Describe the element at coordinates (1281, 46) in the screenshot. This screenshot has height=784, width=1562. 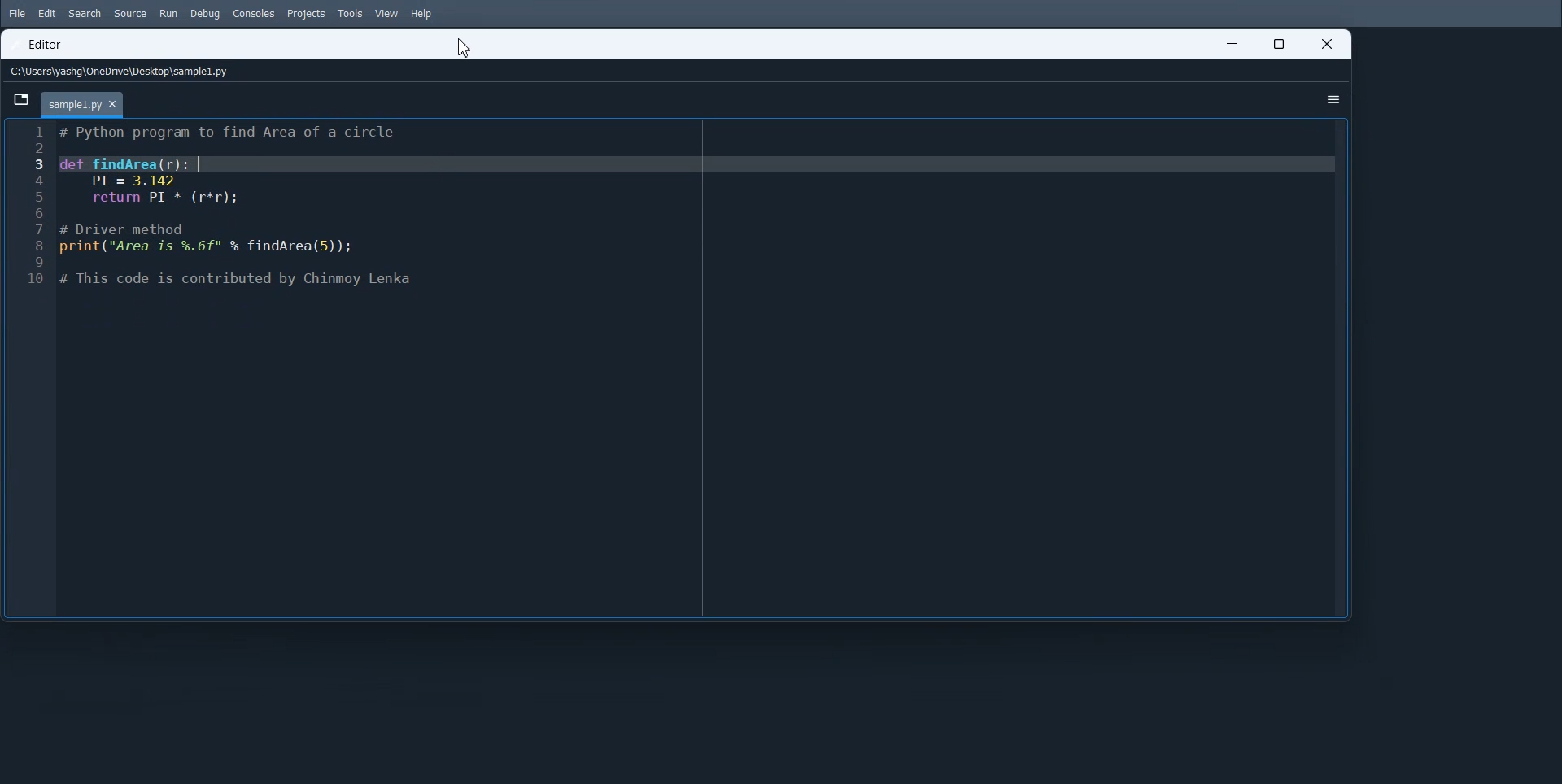
I see `Maximize` at that location.